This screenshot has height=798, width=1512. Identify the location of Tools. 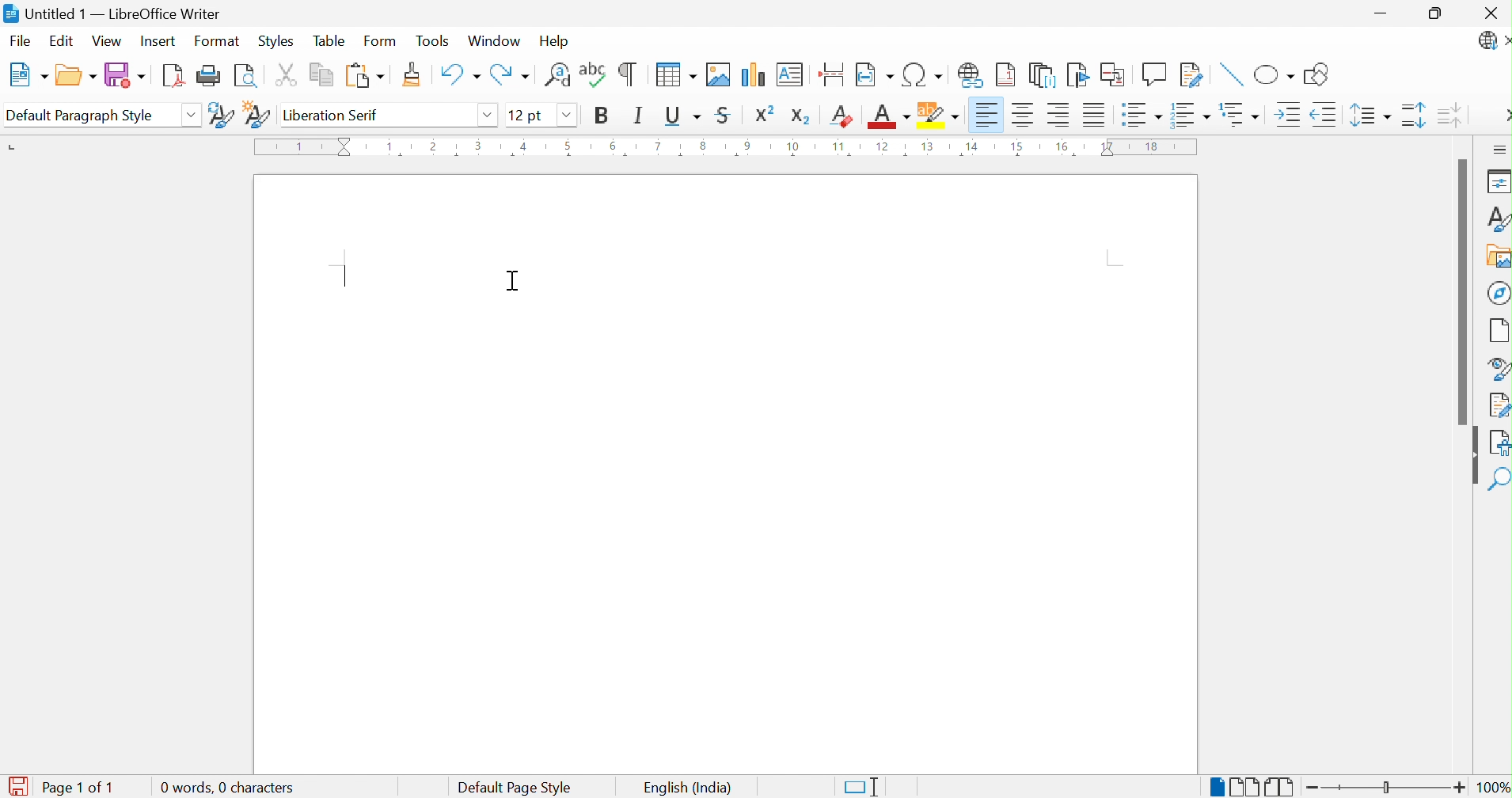
(433, 42).